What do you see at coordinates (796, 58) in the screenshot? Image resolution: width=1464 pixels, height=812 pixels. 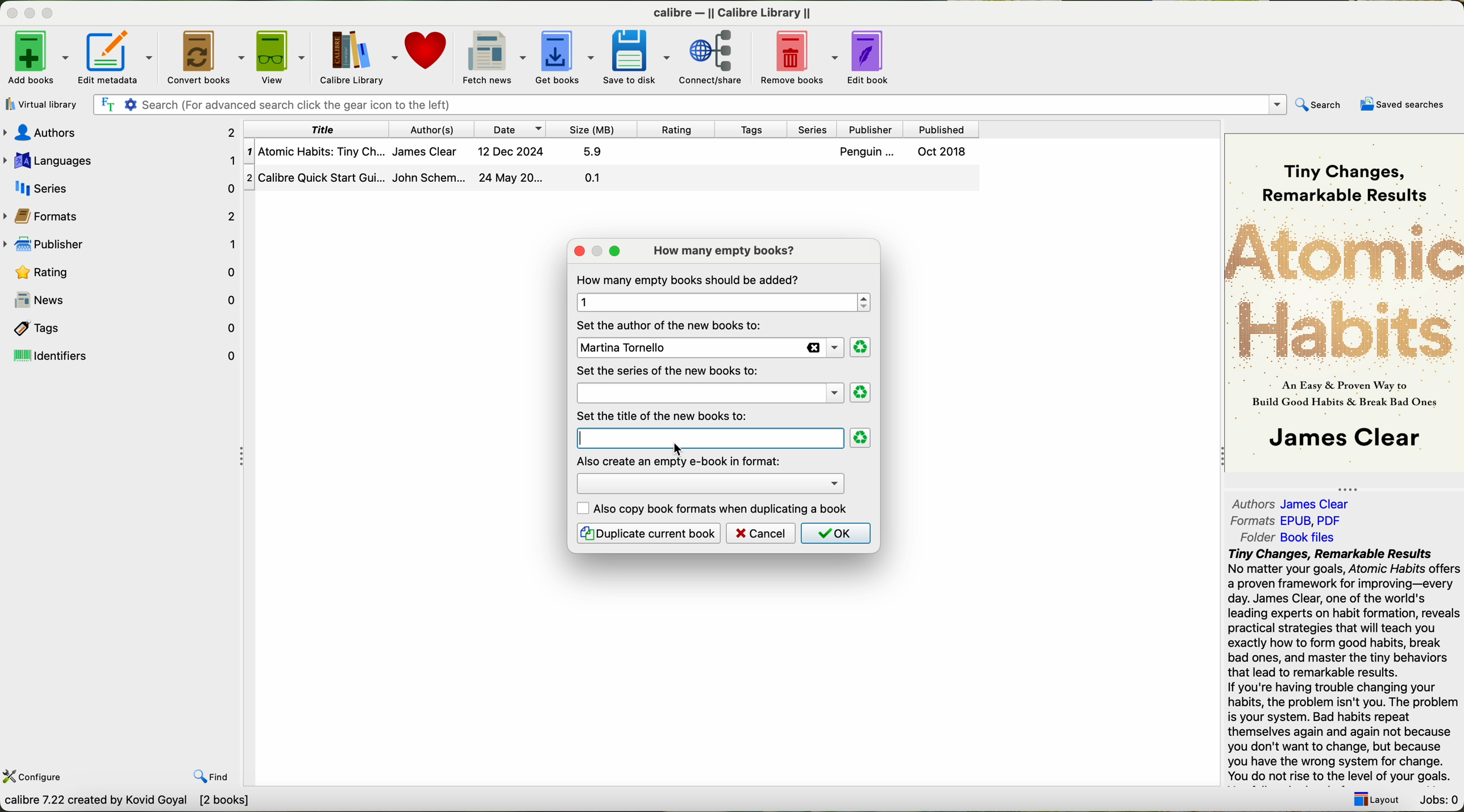 I see `remove books` at bounding box center [796, 58].